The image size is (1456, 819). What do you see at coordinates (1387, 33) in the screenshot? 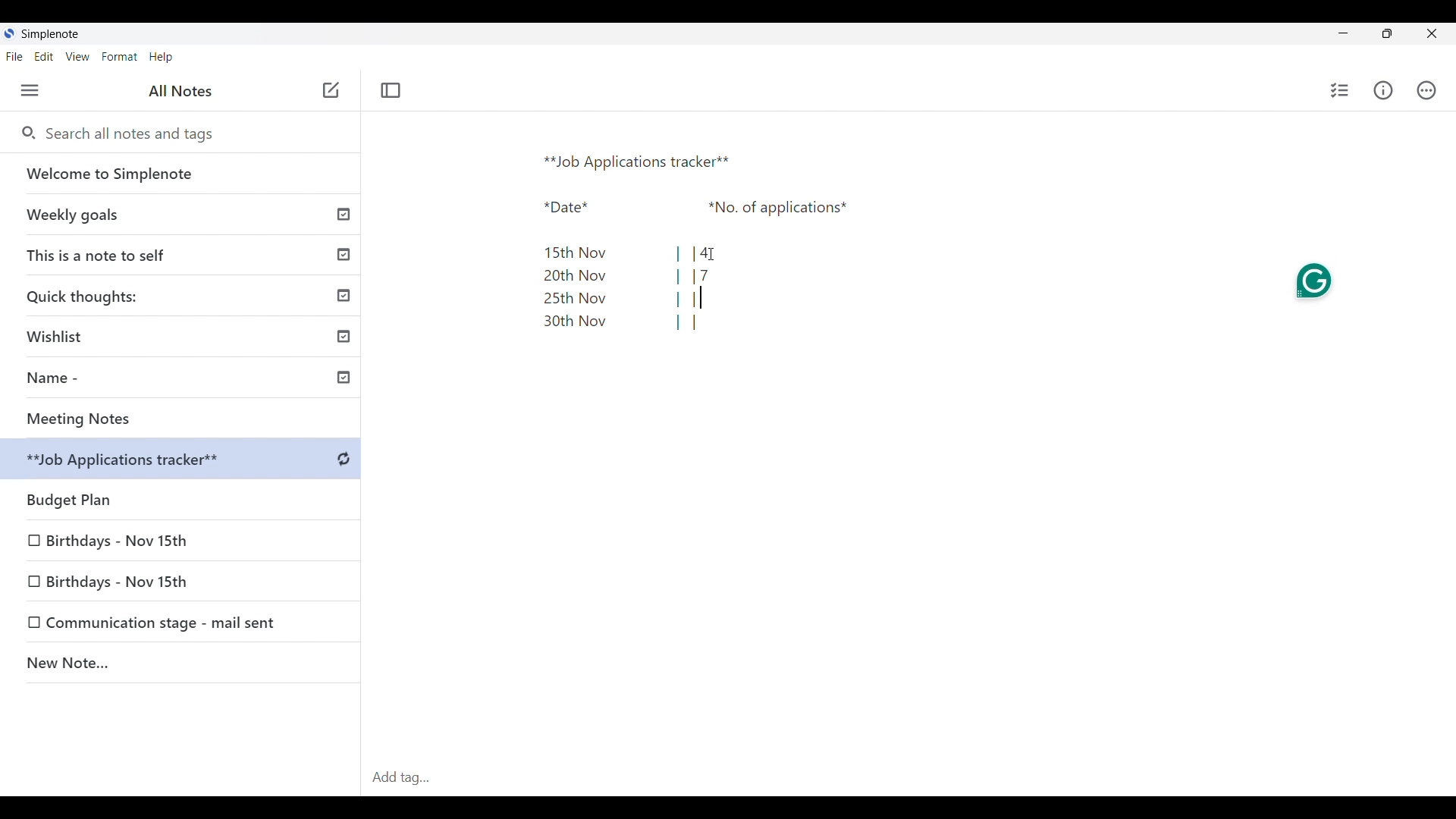
I see `Maximize` at bounding box center [1387, 33].